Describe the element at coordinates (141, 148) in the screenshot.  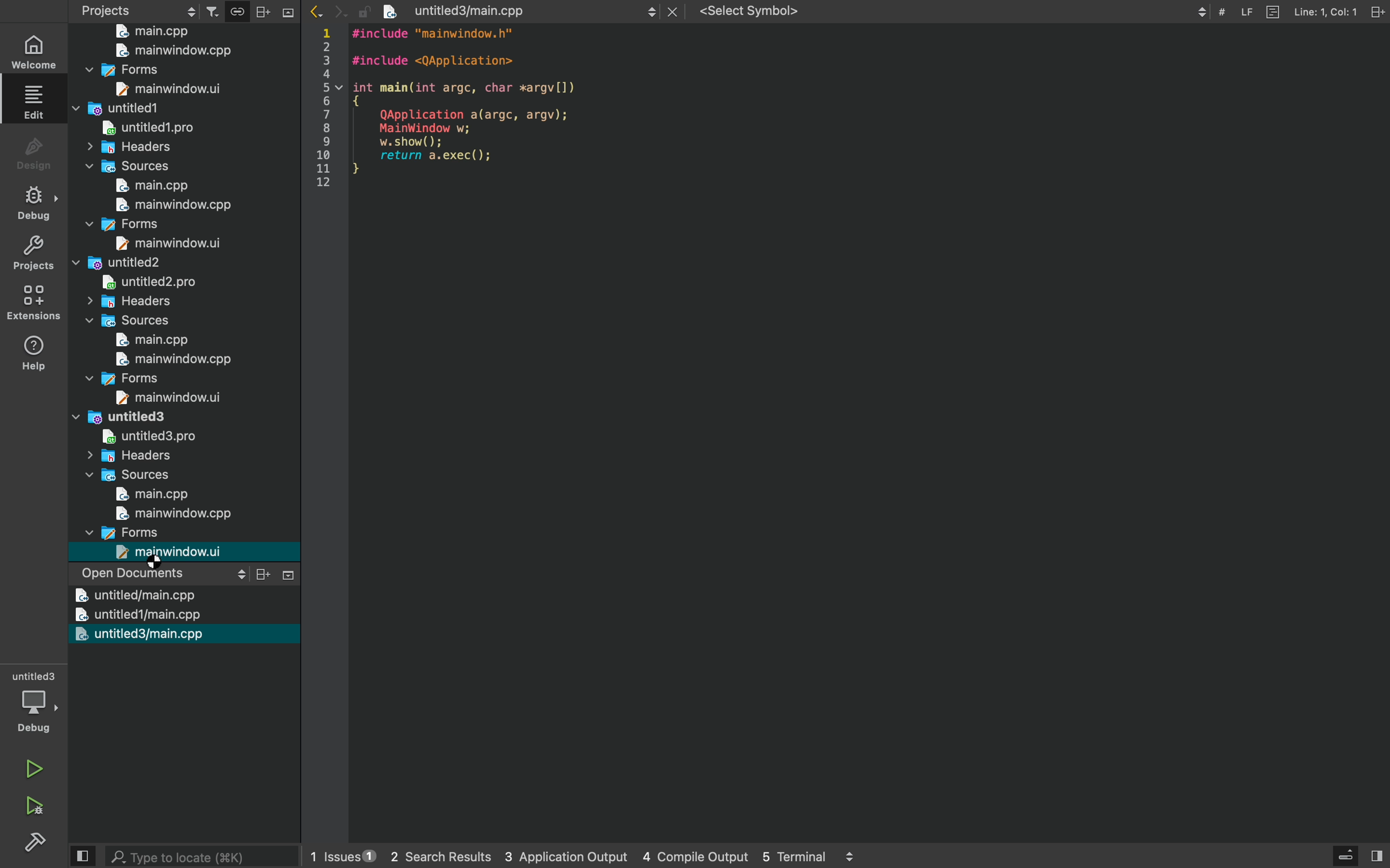
I see `untitled` at that location.